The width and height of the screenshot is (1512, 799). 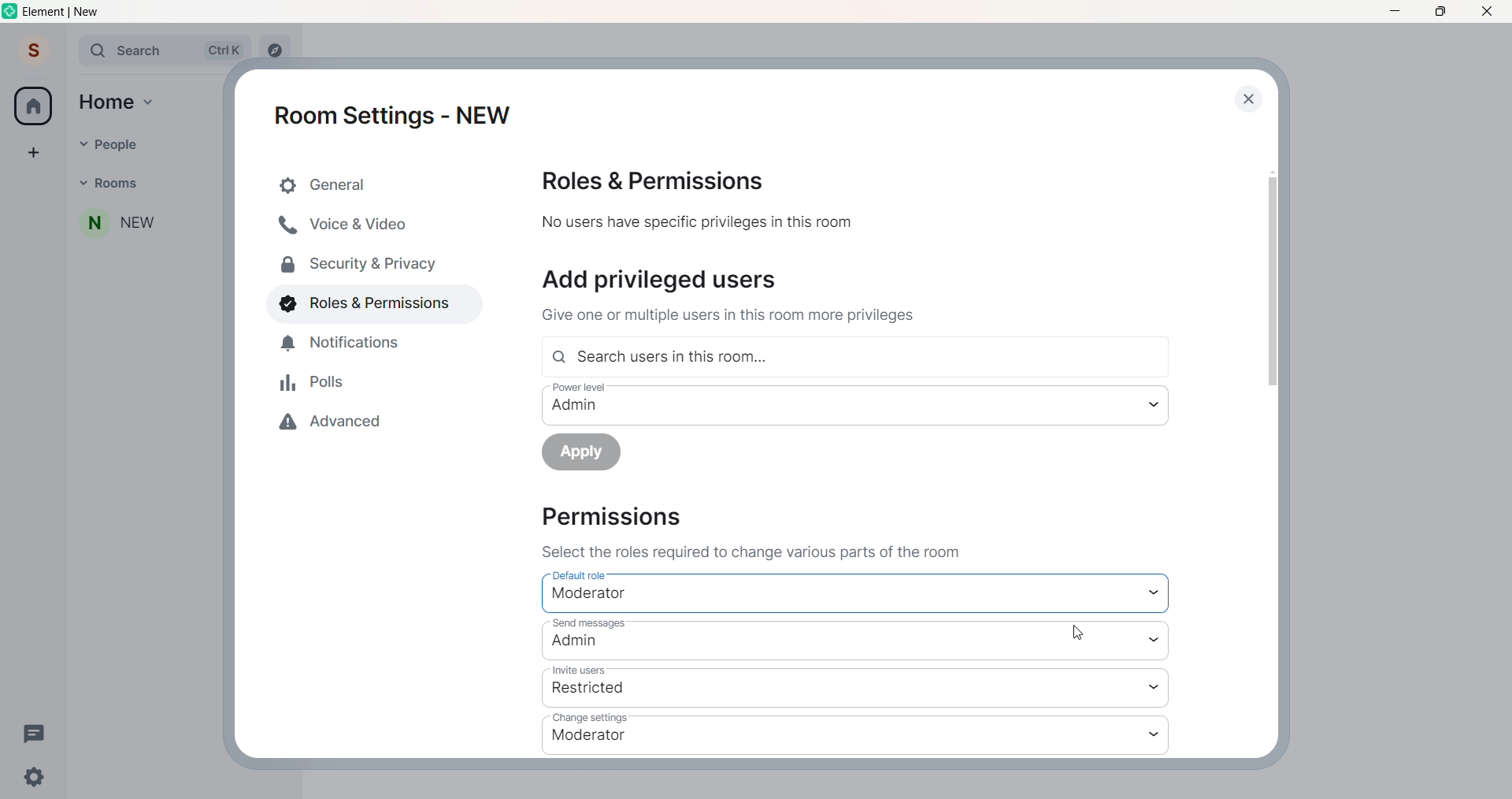 What do you see at coordinates (114, 226) in the screenshot?
I see `room name` at bounding box center [114, 226].